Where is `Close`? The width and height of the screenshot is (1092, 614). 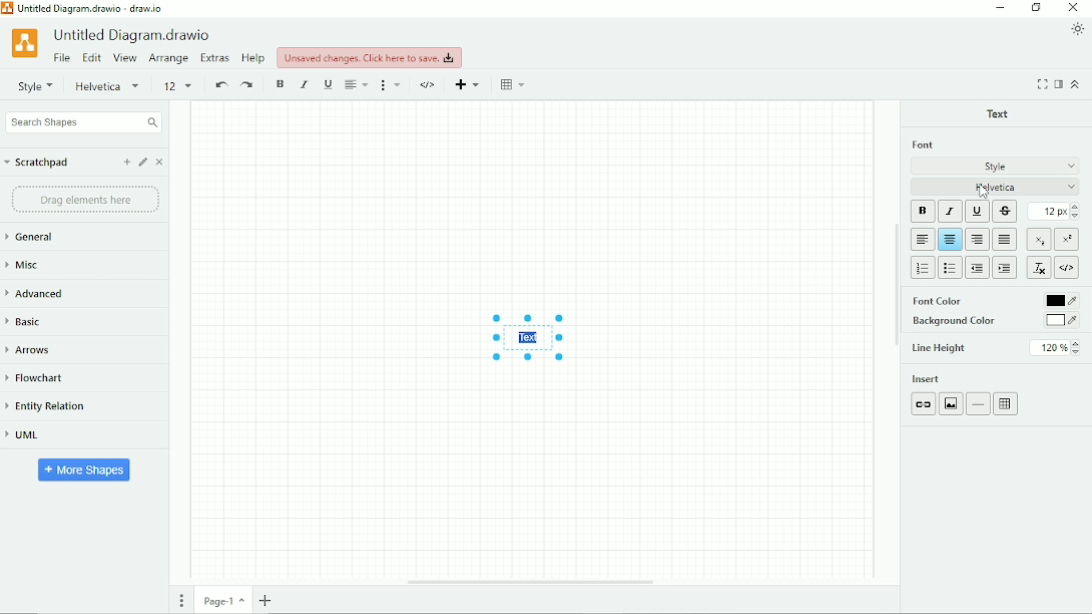
Close is located at coordinates (1074, 7).